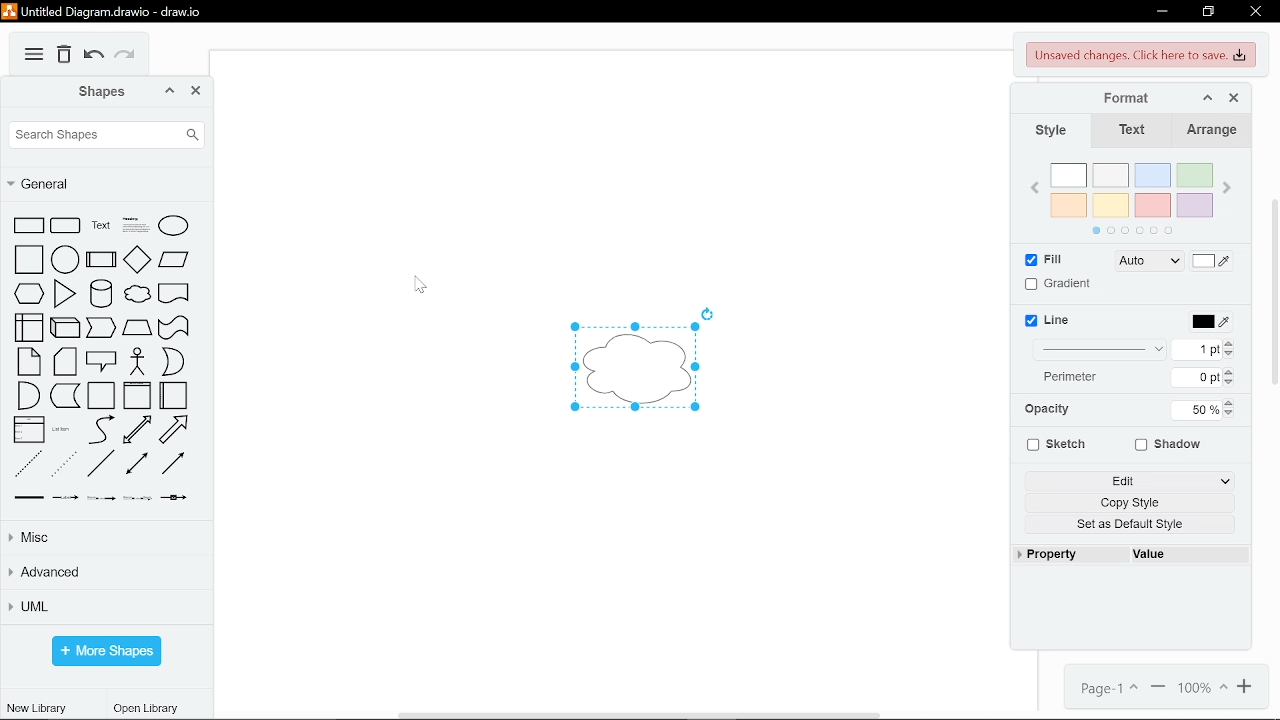  What do you see at coordinates (1232, 354) in the screenshot?
I see `decrease line width` at bounding box center [1232, 354].